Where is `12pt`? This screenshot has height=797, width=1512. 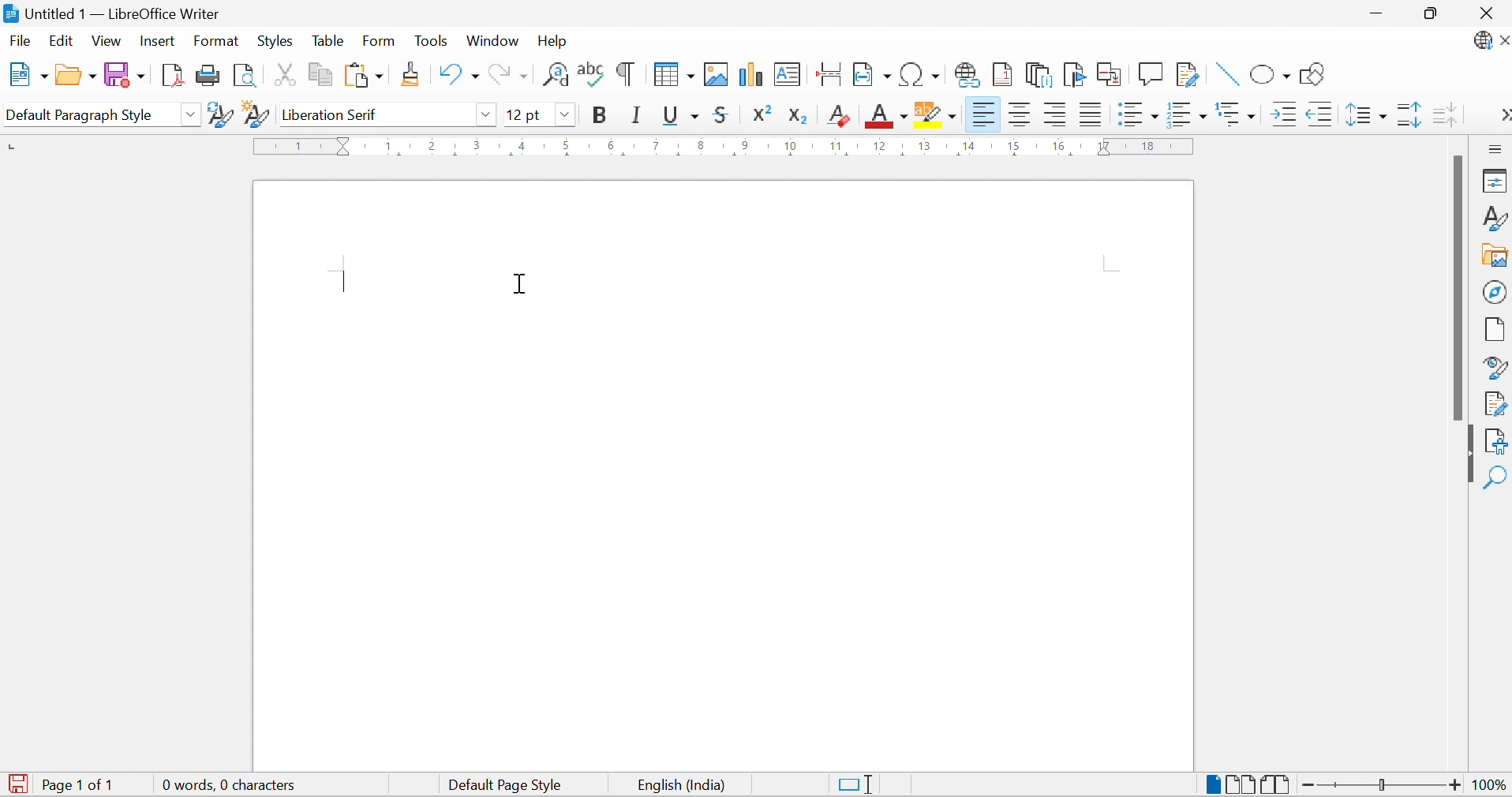 12pt is located at coordinates (525, 114).